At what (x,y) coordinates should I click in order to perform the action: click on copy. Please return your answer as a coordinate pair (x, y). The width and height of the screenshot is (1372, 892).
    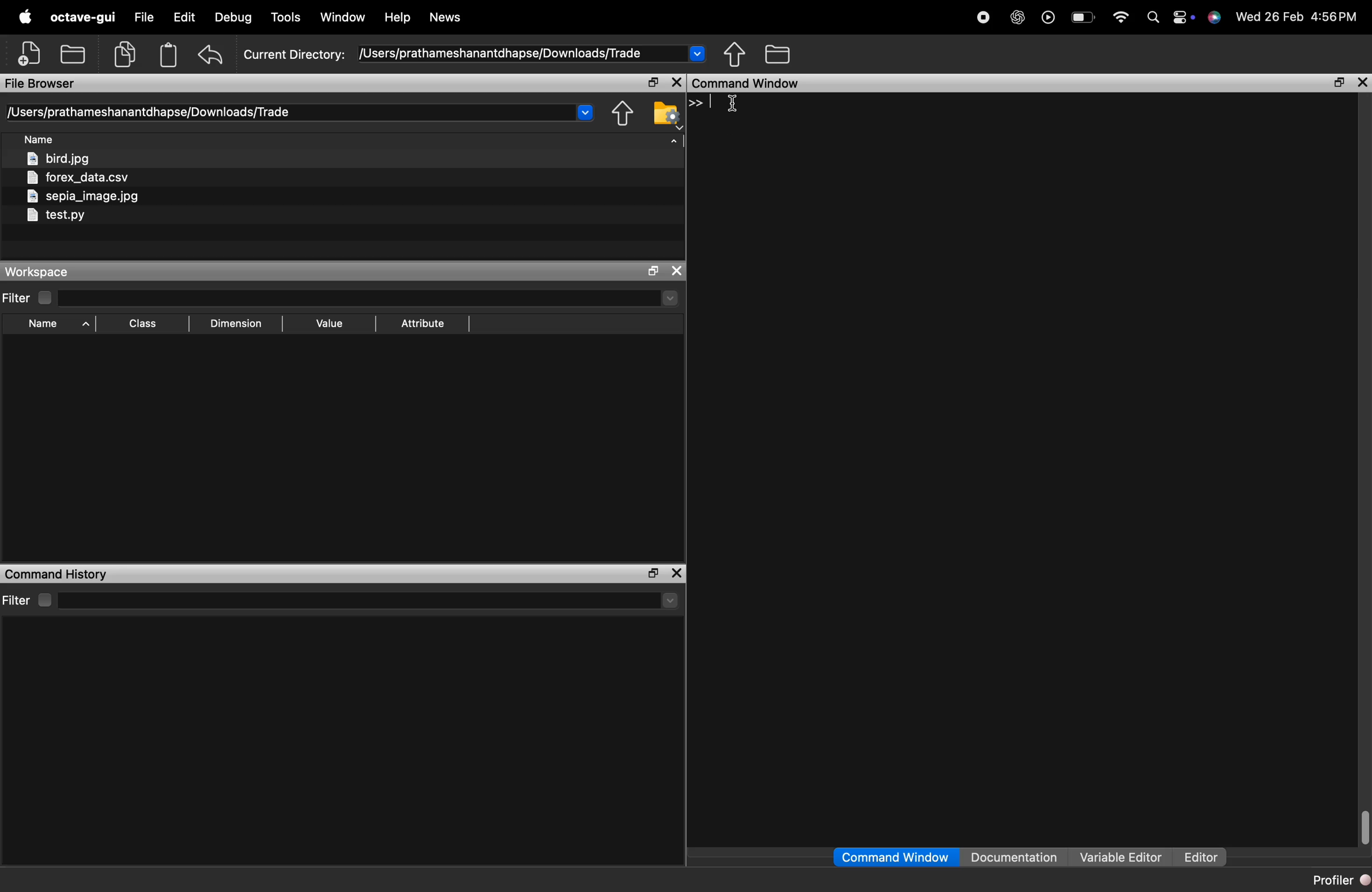
    Looking at the image, I should click on (126, 54).